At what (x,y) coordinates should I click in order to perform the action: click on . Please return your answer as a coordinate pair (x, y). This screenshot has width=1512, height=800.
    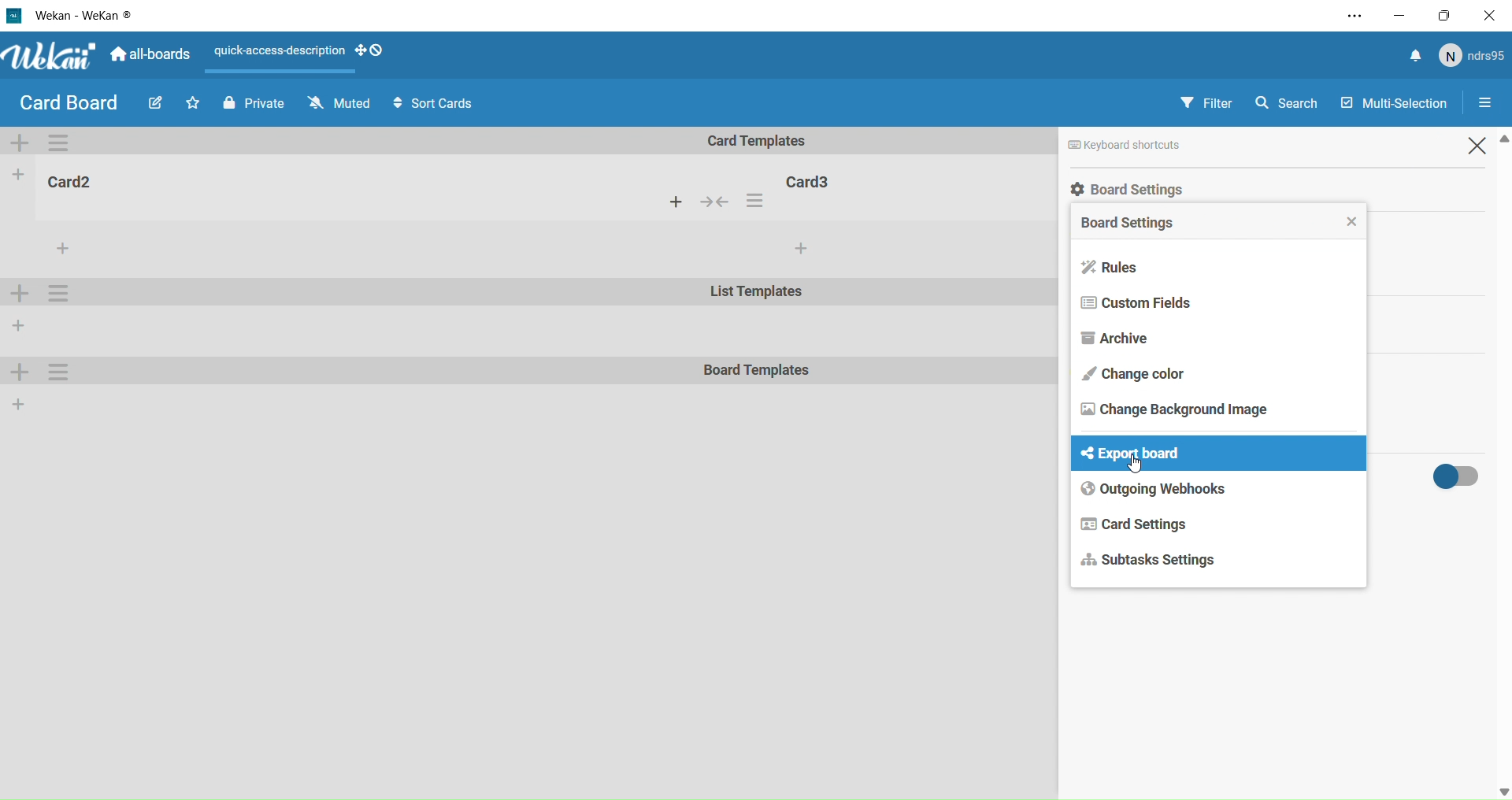
    Looking at the image, I should click on (62, 248).